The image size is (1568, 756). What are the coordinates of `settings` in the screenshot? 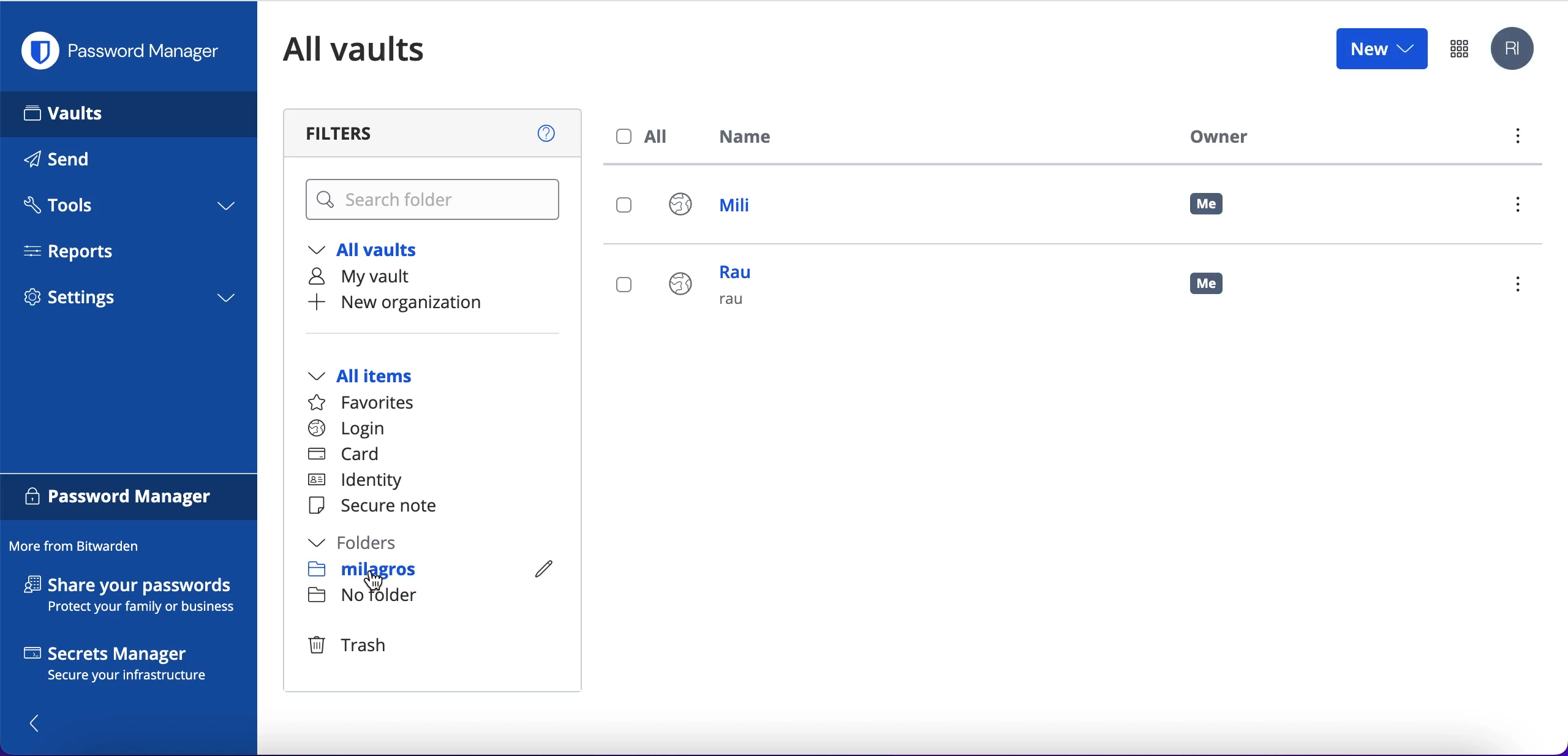 It's located at (129, 301).